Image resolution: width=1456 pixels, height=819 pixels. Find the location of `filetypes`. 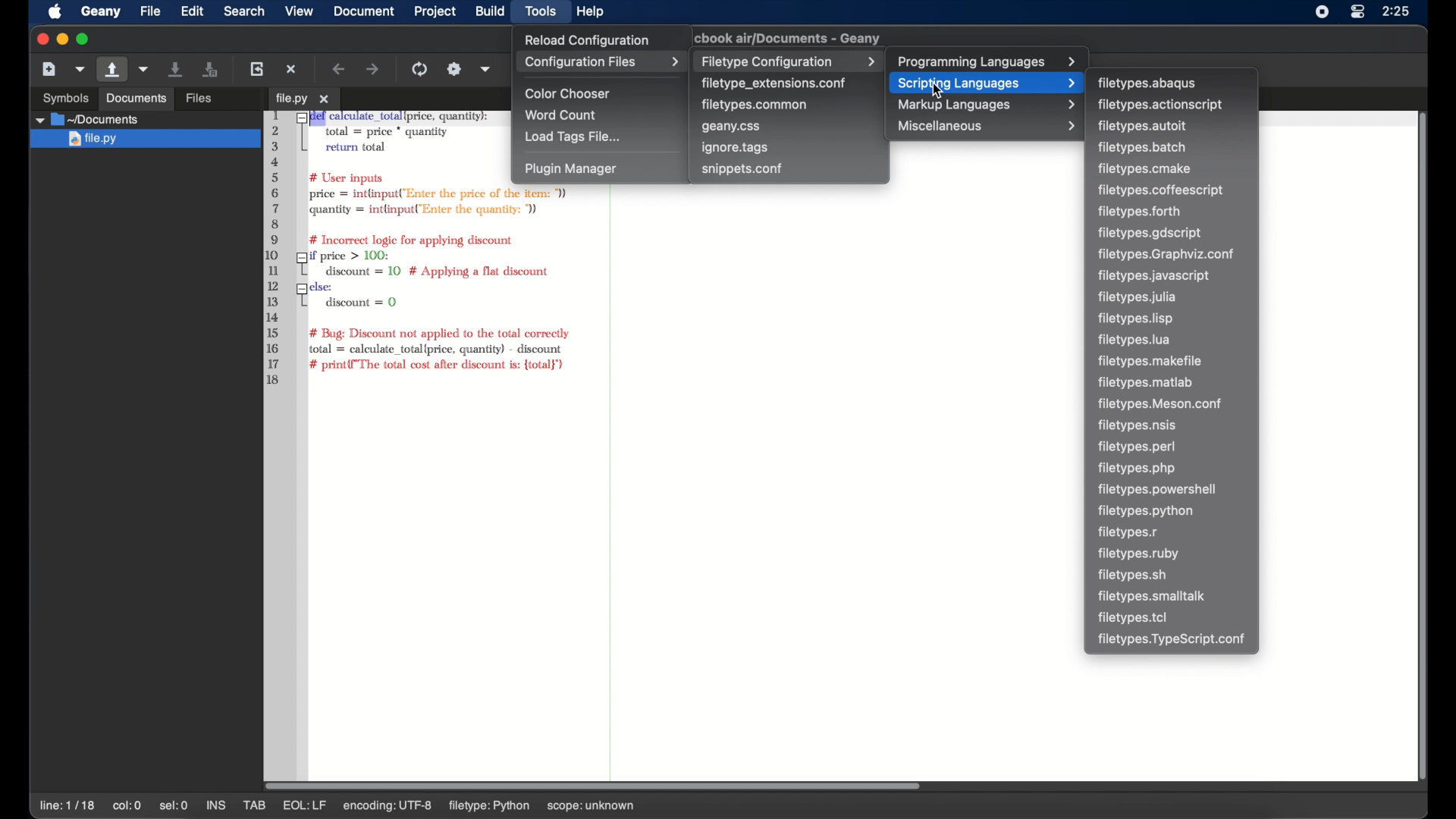

filetypes is located at coordinates (1139, 554).